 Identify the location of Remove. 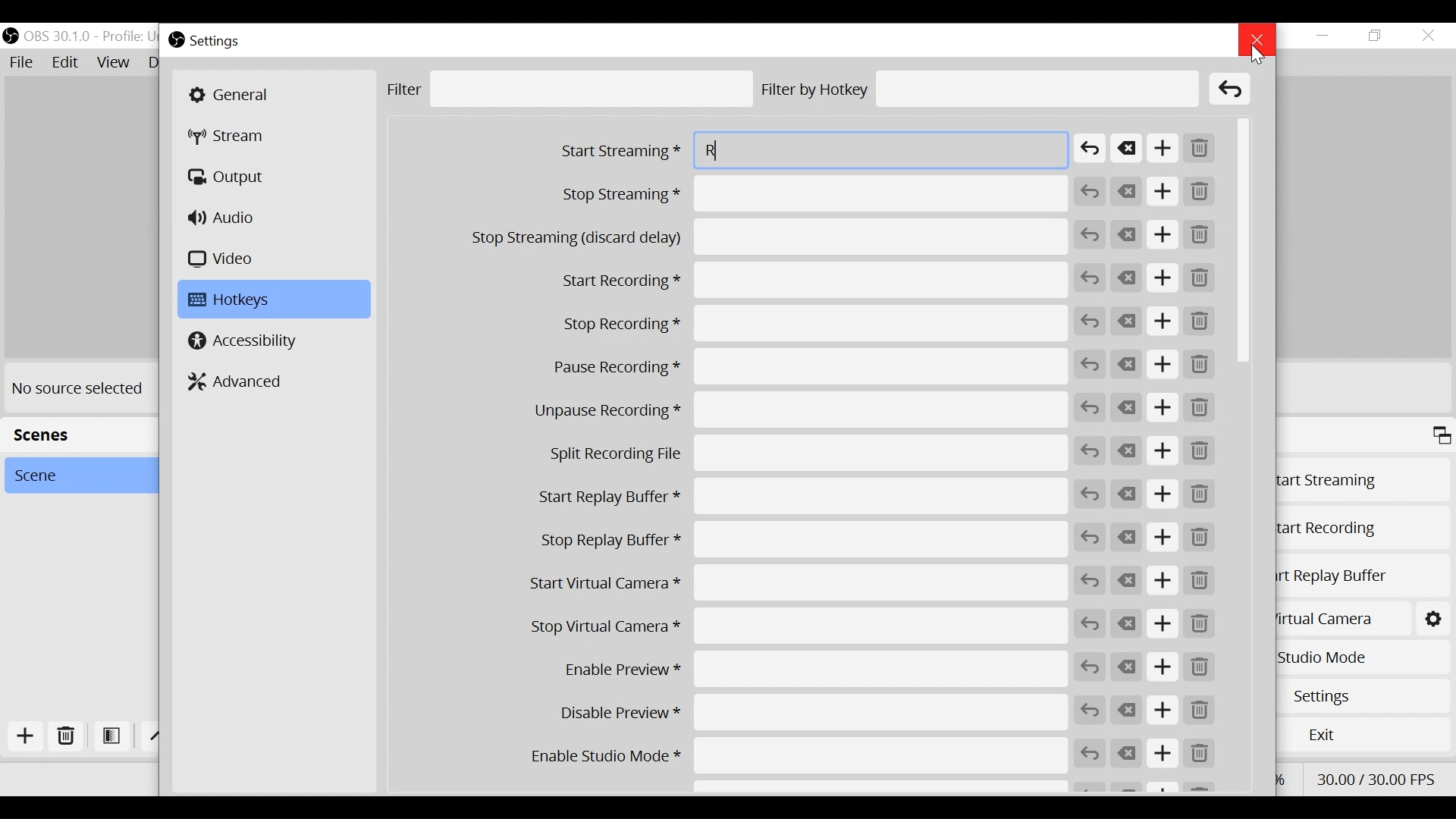
(1199, 151).